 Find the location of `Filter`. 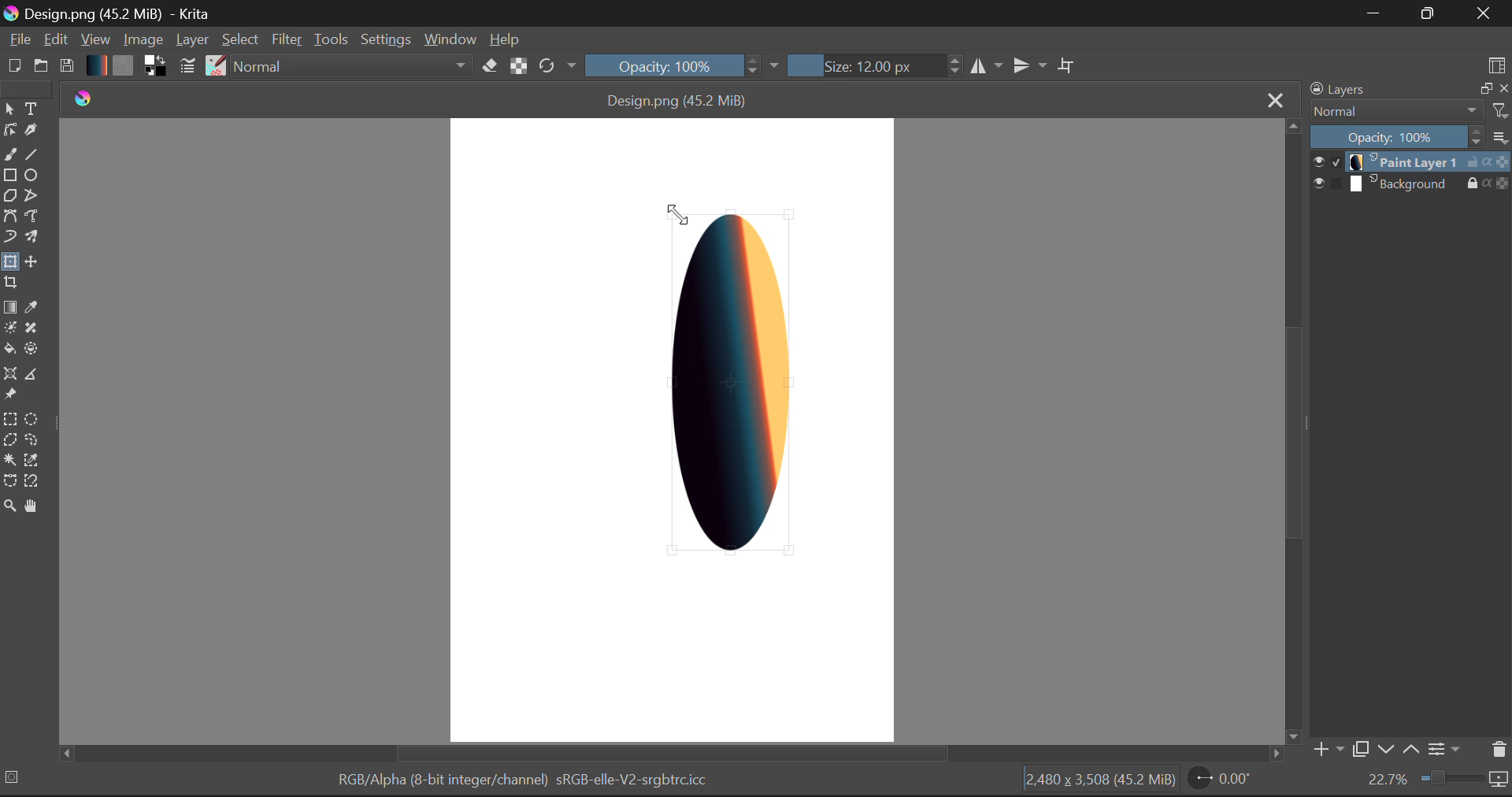

Filter is located at coordinates (287, 39).